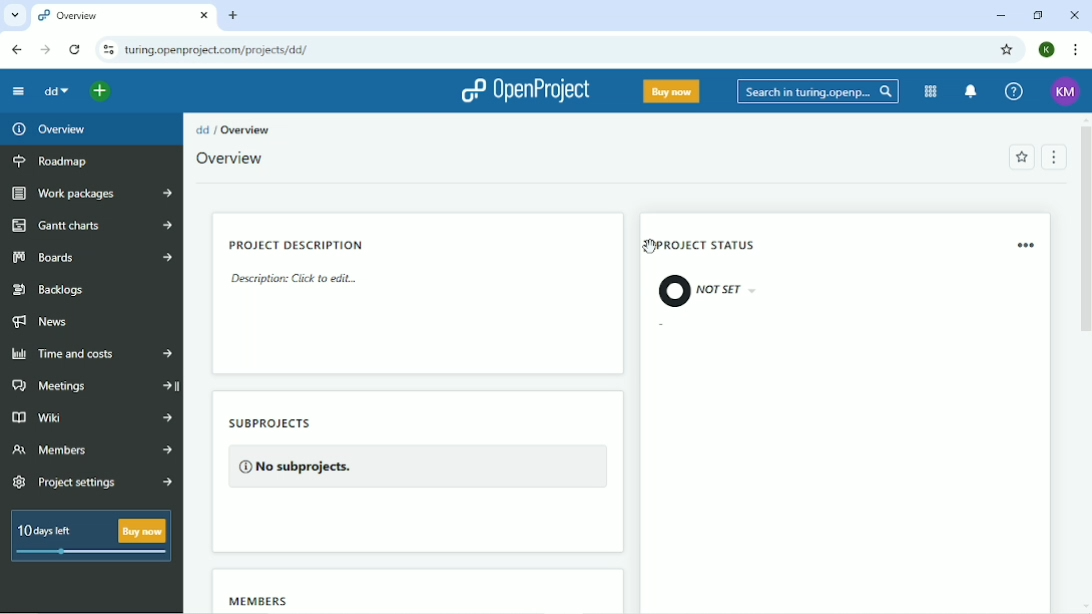 Image resolution: width=1092 pixels, height=614 pixels. I want to click on Overview, so click(231, 158).